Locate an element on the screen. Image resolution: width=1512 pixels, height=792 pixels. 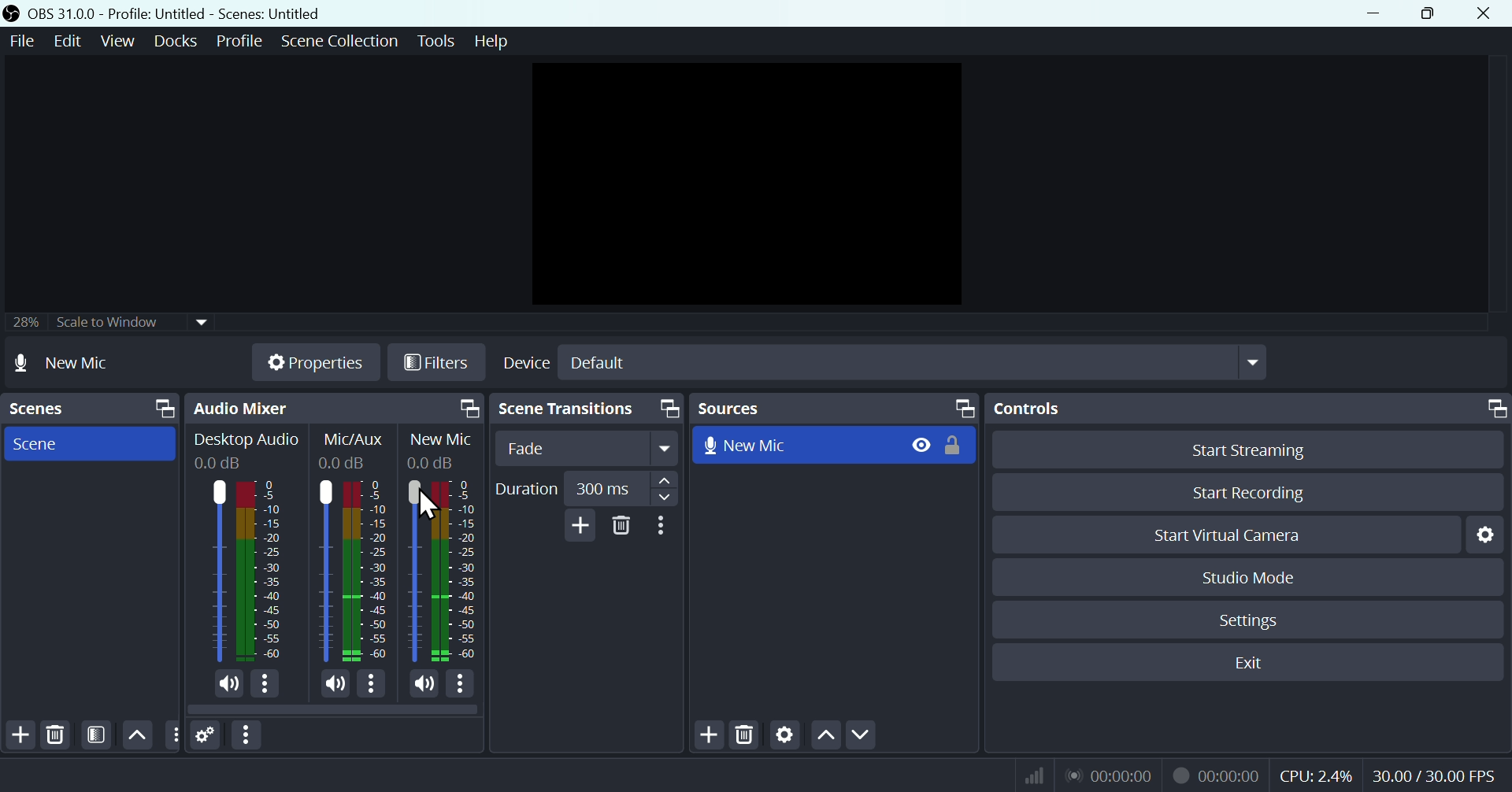
Properties is located at coordinates (314, 362).